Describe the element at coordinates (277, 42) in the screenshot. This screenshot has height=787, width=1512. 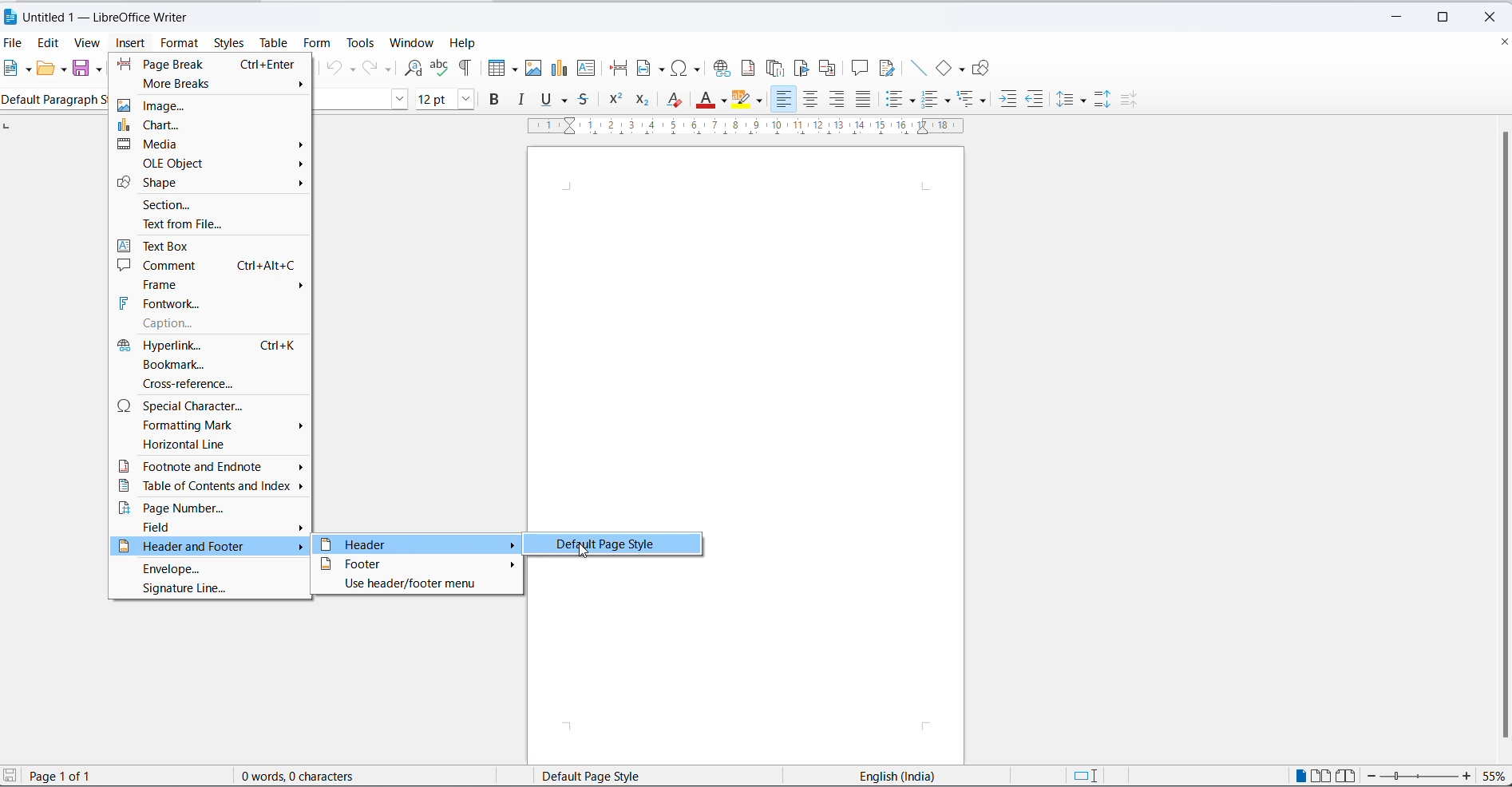
I see `table` at that location.